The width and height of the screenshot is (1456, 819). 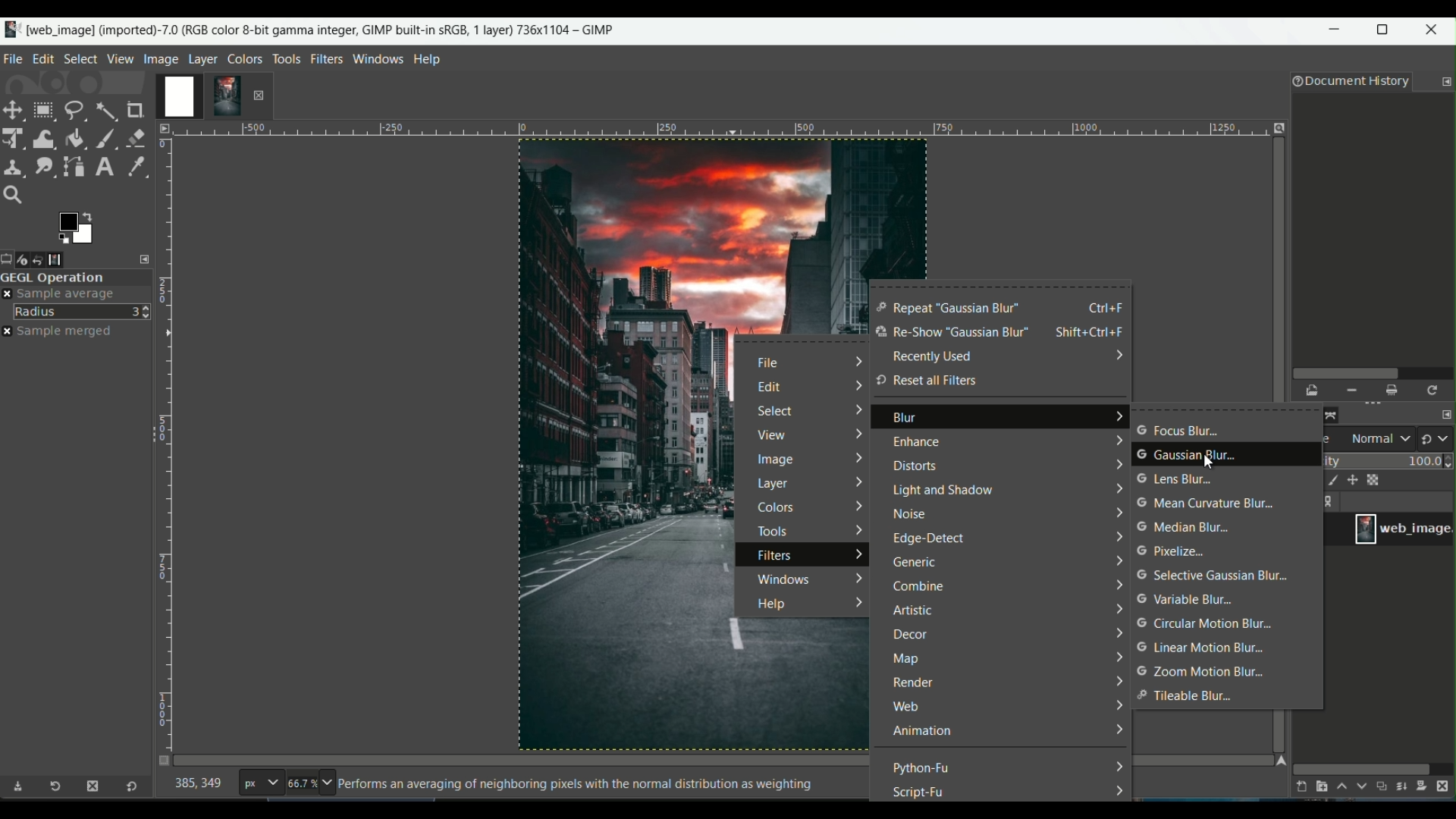 What do you see at coordinates (165, 435) in the screenshot?
I see `length measuring layer` at bounding box center [165, 435].